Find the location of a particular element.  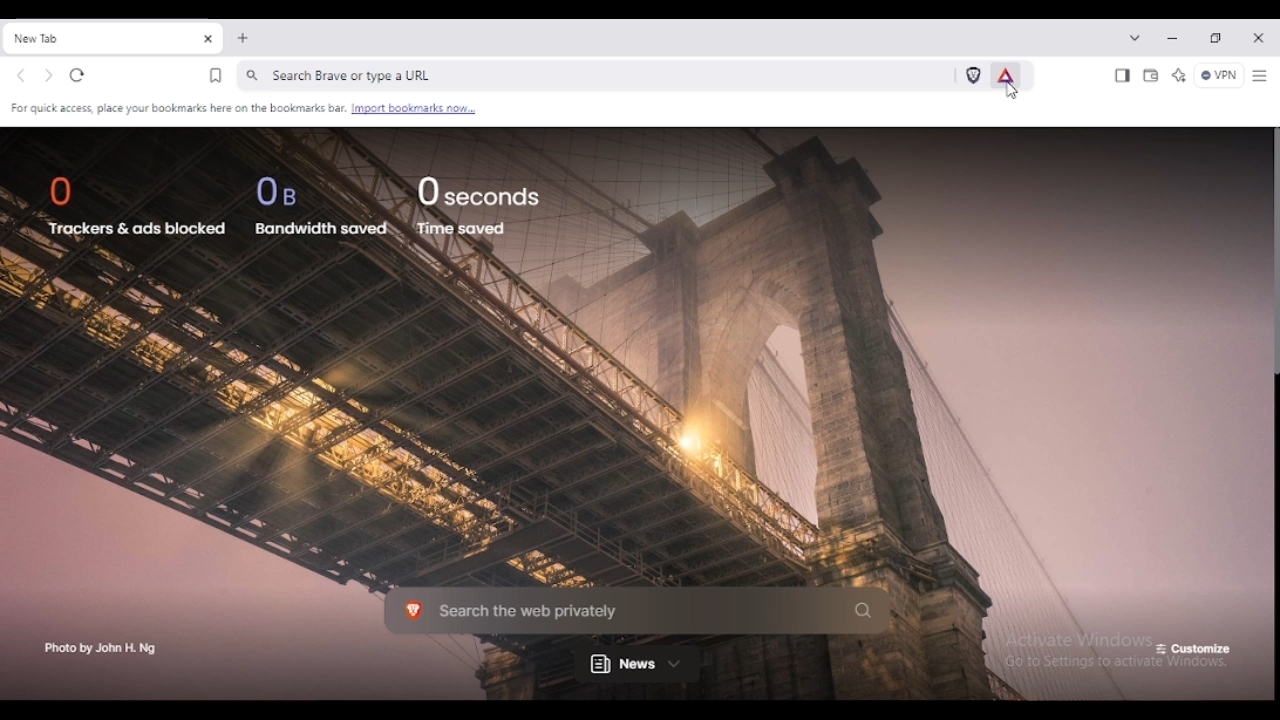

for quick access place your bookmarks here on the bookmark bar. import bookmarks now... is located at coordinates (241, 107).